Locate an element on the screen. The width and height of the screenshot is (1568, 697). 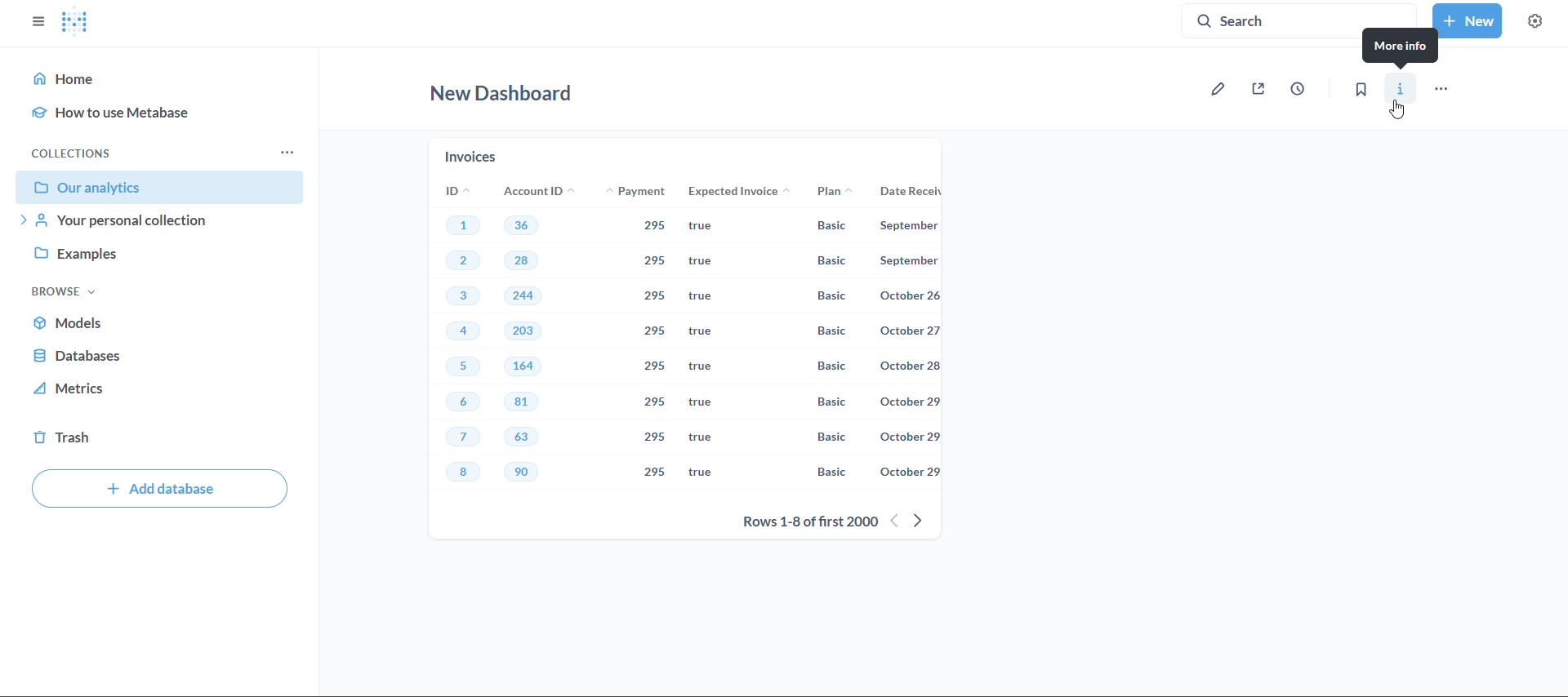
collection is located at coordinates (76, 151).